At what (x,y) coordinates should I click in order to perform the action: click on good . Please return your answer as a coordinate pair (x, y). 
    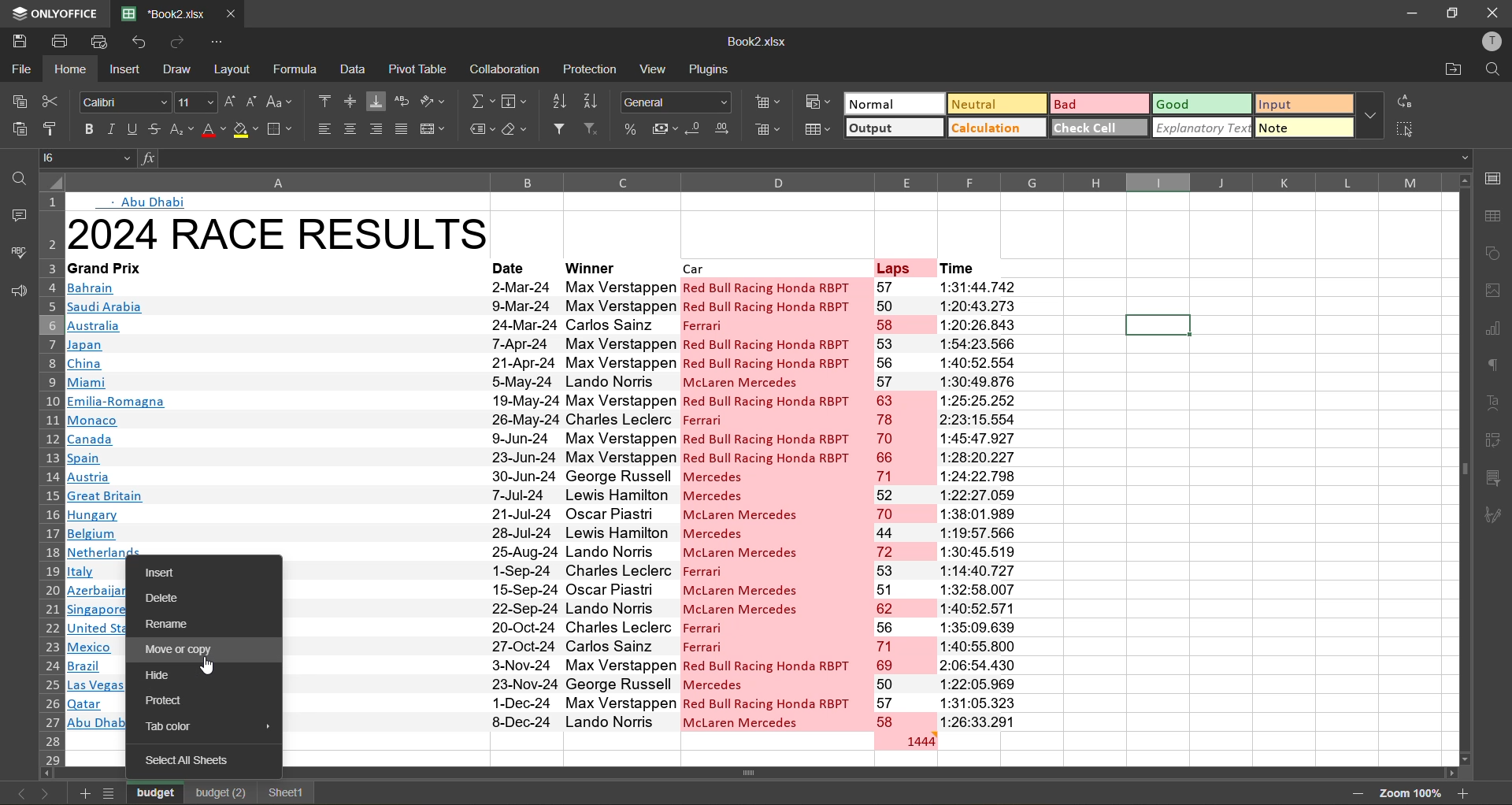
    Looking at the image, I should click on (1203, 105).